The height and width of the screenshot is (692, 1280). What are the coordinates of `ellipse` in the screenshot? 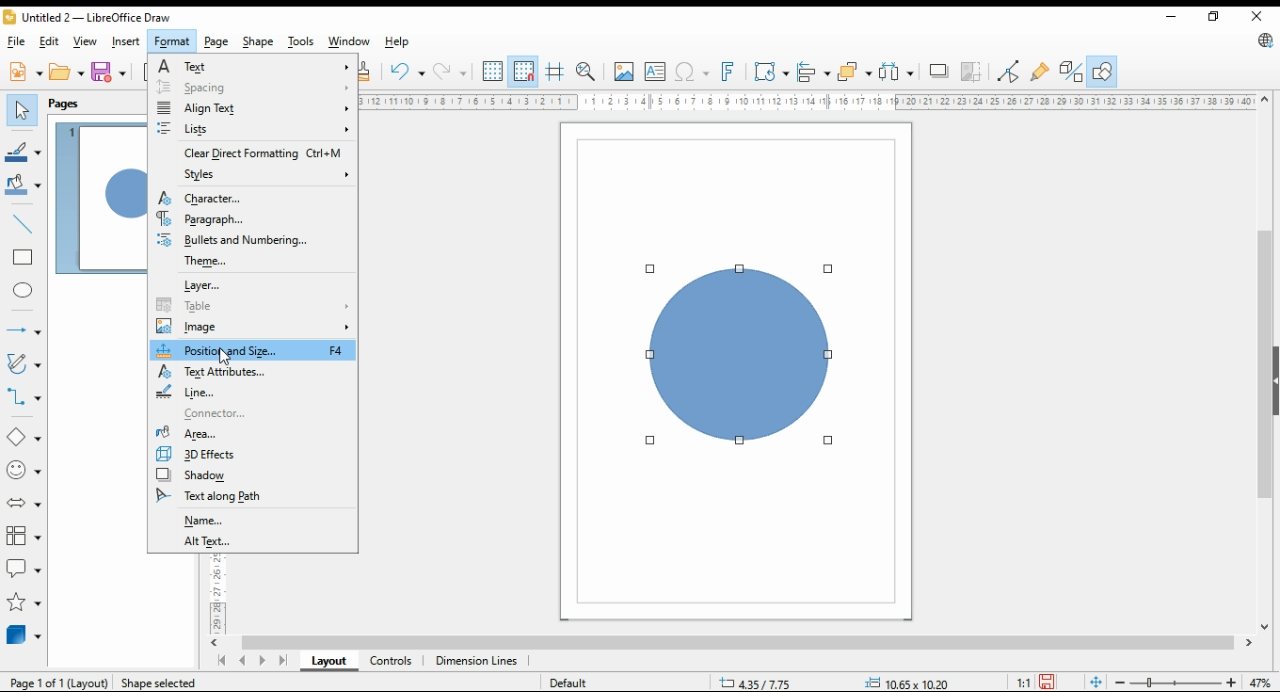 It's located at (22, 290).